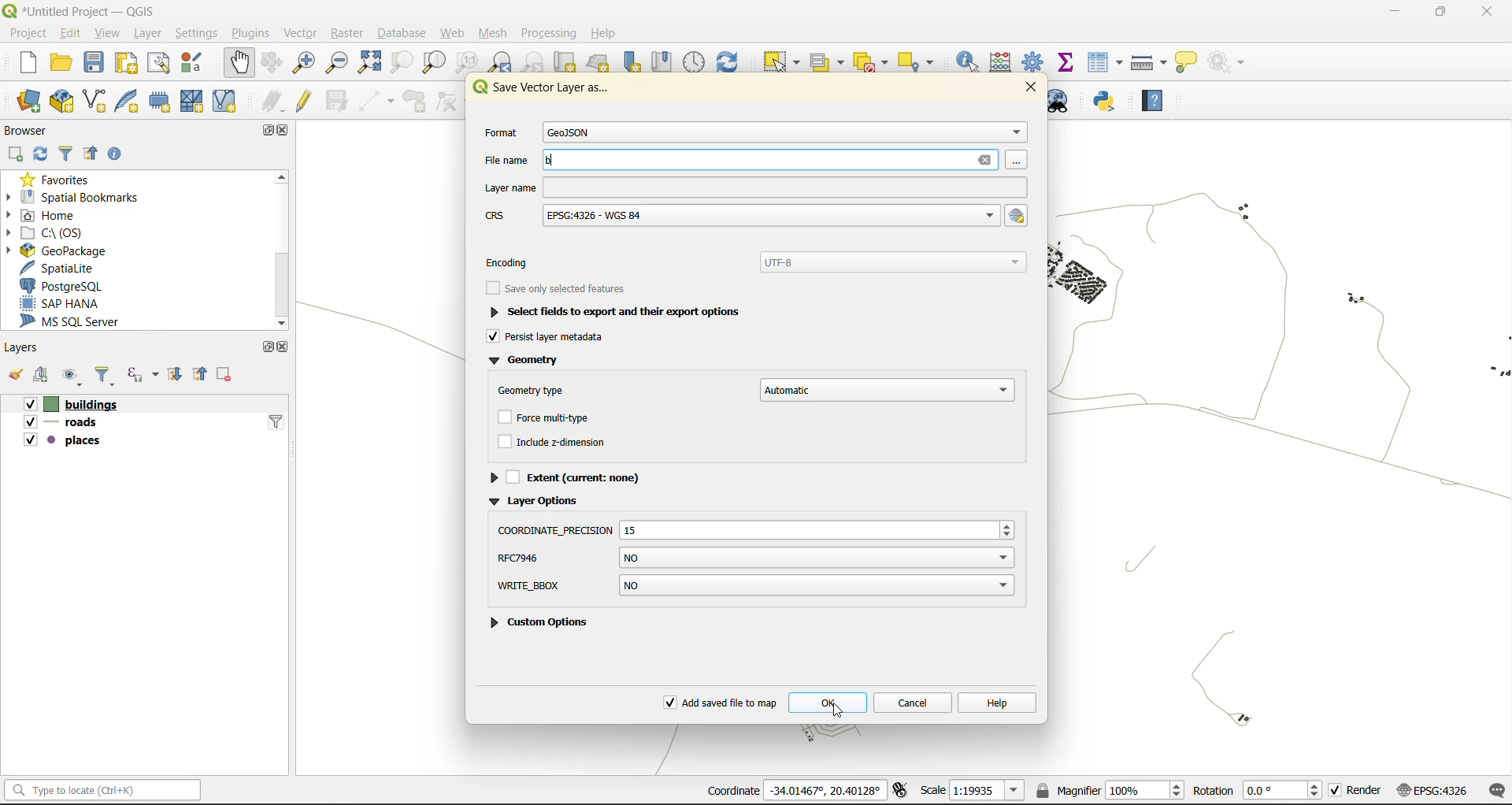 This screenshot has width=1512, height=805. What do you see at coordinates (165, 100) in the screenshot?
I see `temporary scratch file layer` at bounding box center [165, 100].